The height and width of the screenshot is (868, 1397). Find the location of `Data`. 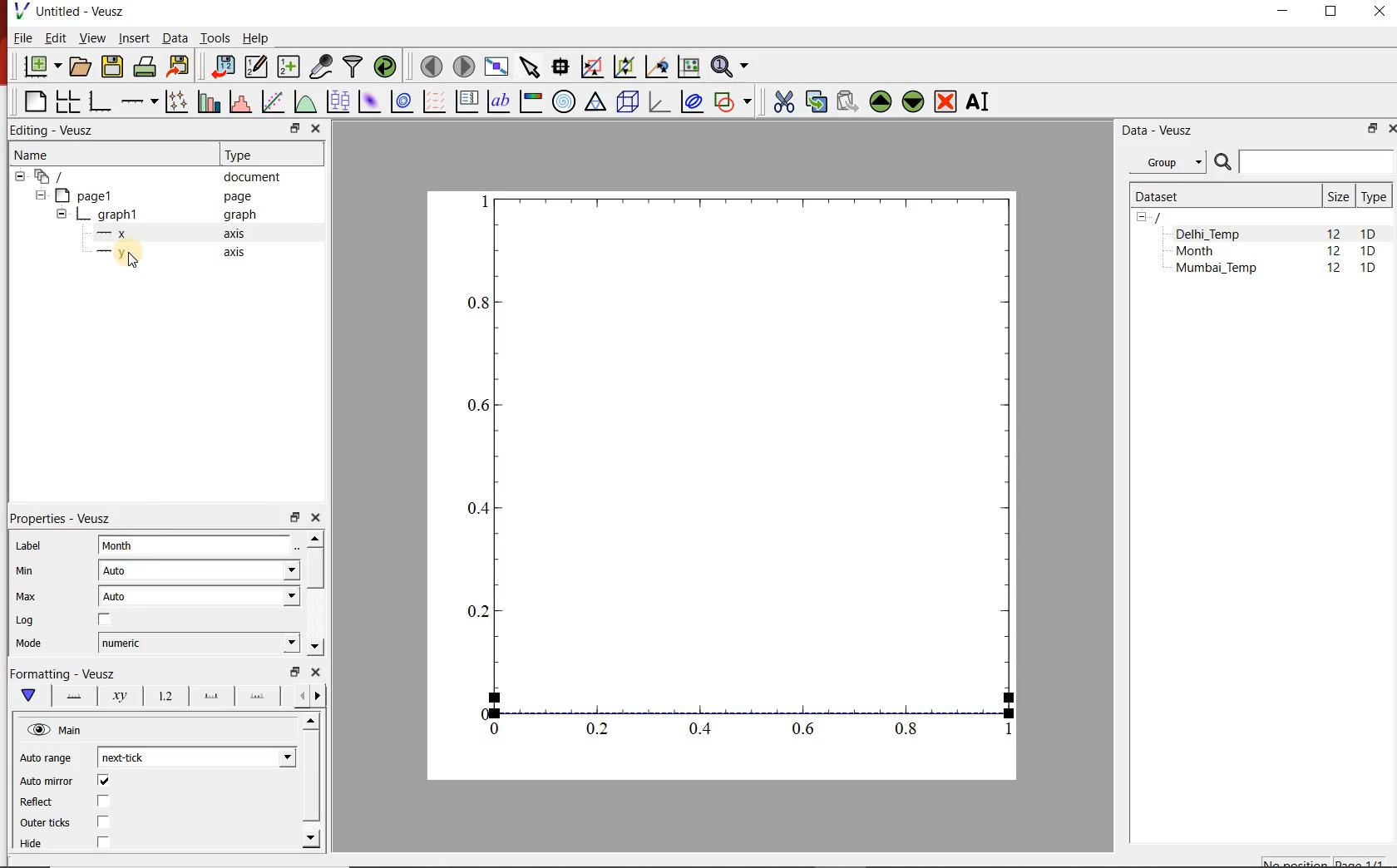

Data is located at coordinates (174, 37).